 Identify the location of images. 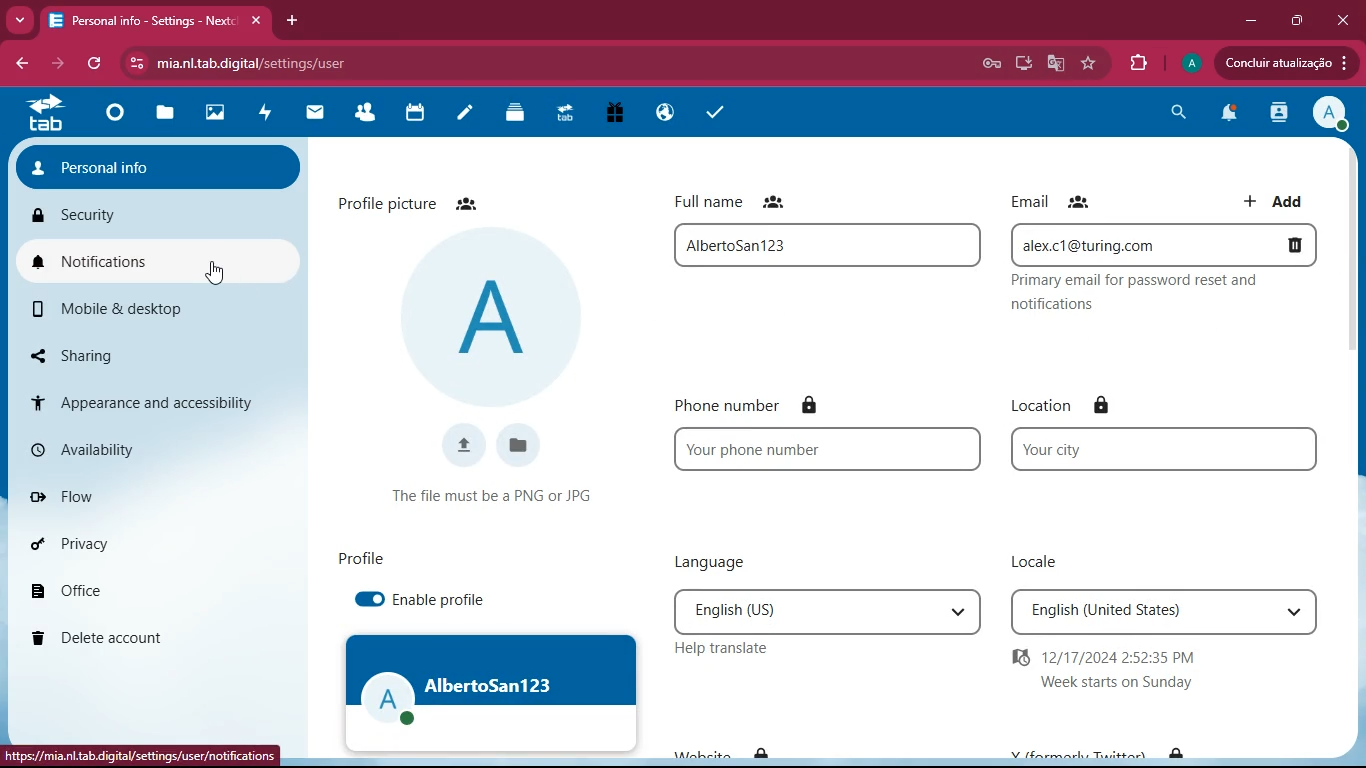
(217, 111).